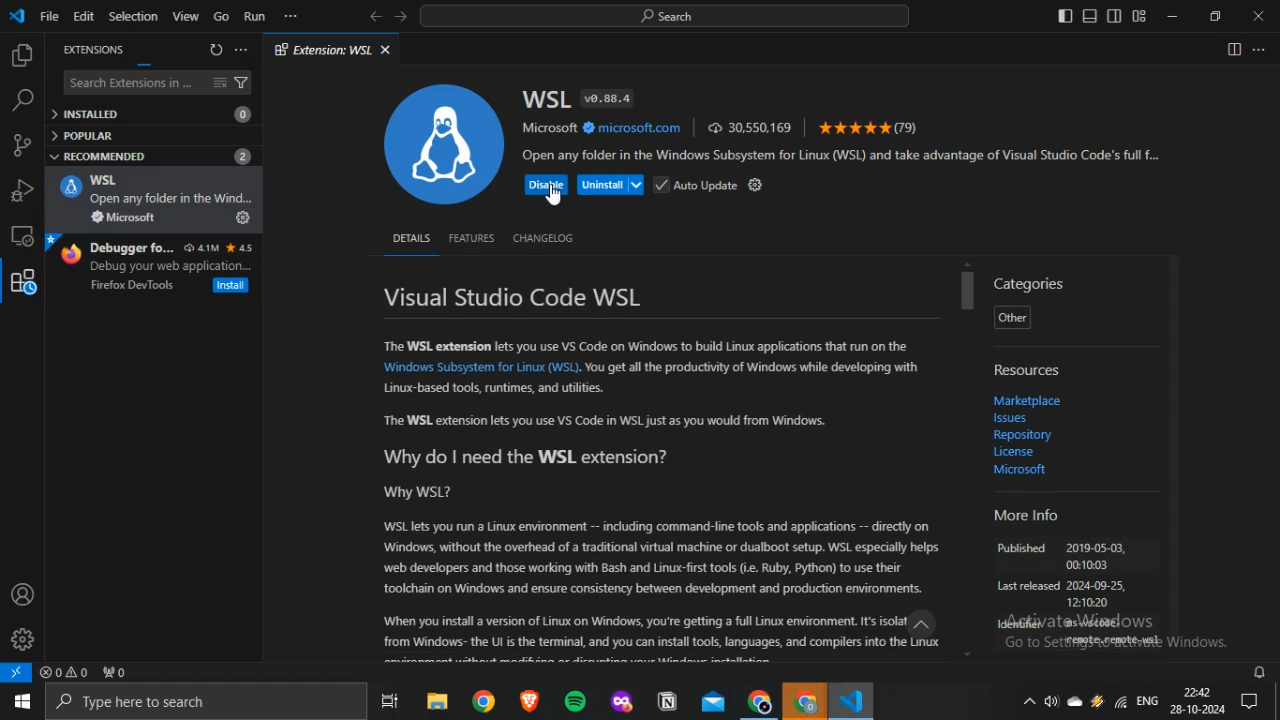 This screenshot has width=1280, height=720. I want to click on scrollbar, so click(968, 290).